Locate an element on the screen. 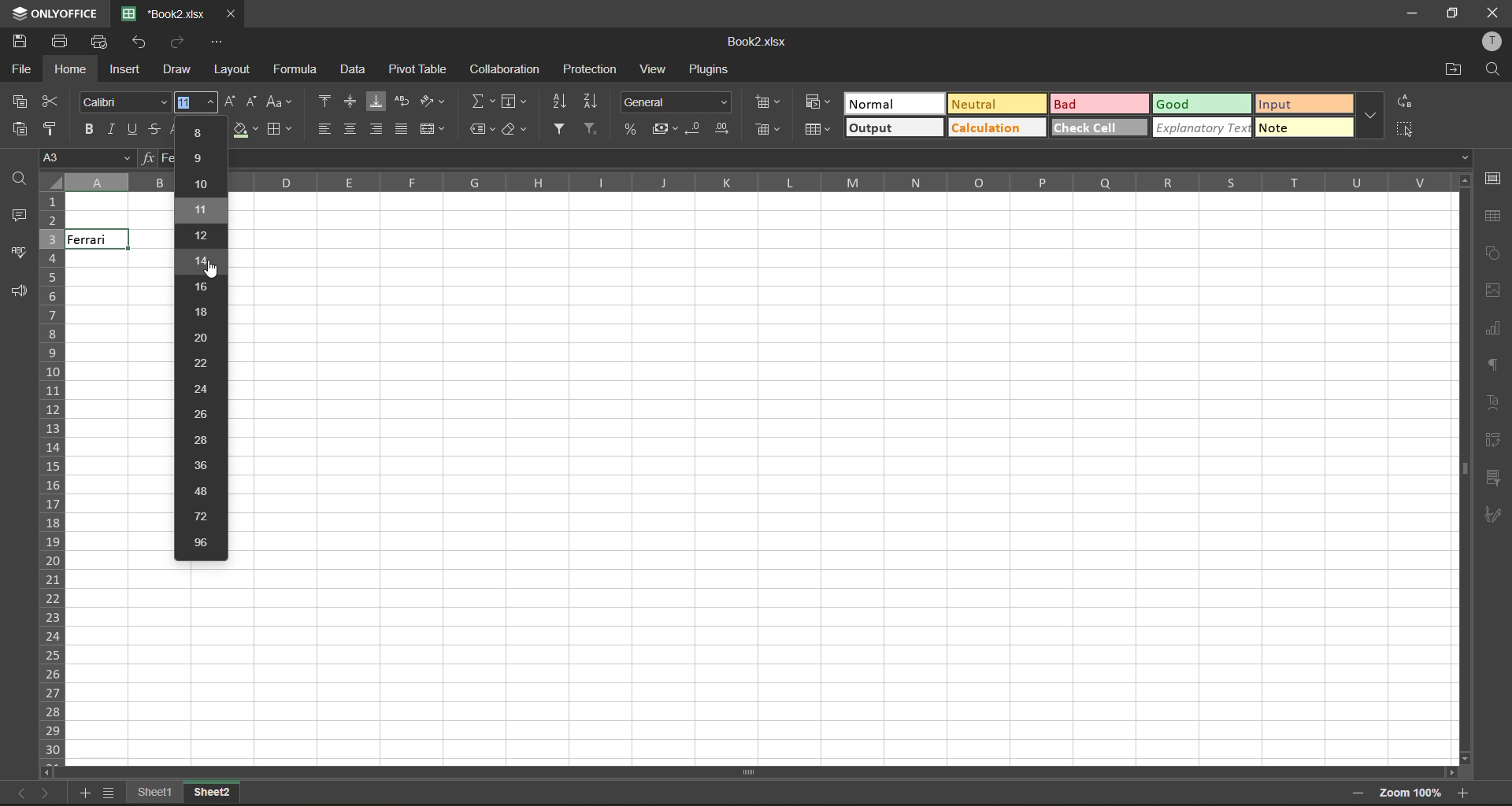 This screenshot has height=806, width=1512. calculation is located at coordinates (998, 129).